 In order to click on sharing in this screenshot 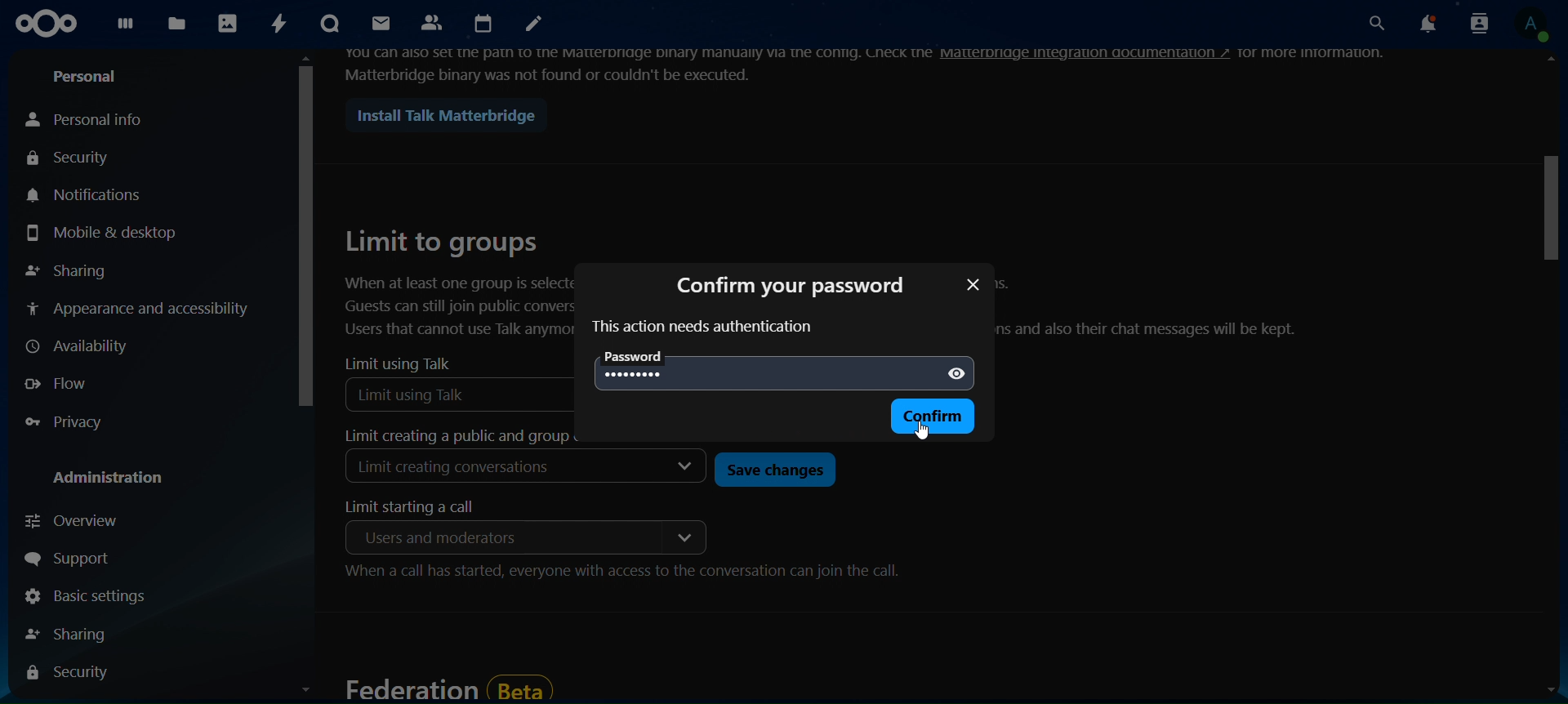, I will do `click(75, 634)`.